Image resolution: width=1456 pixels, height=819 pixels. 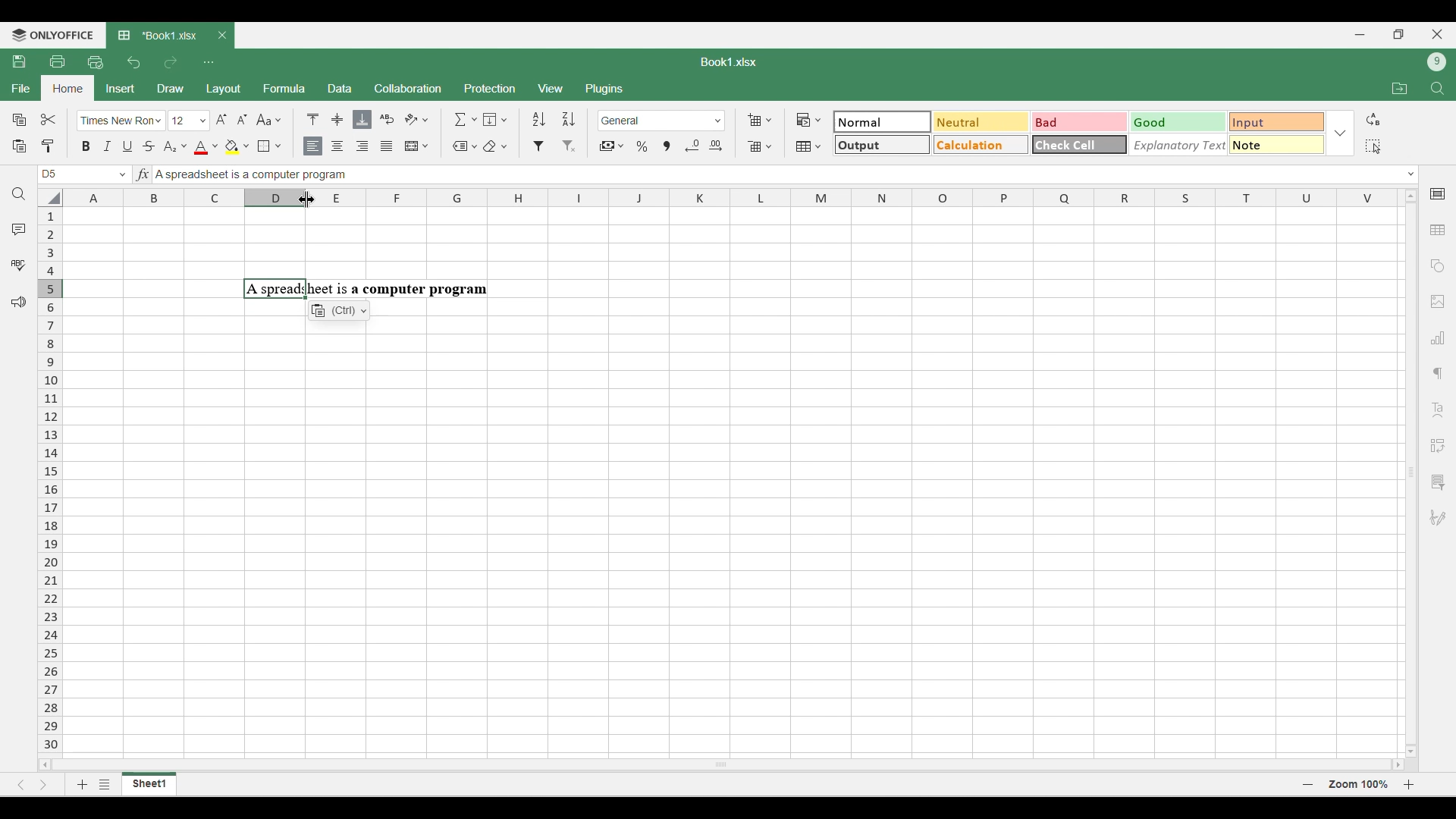 I want to click on Book1.xlsx, so click(x=729, y=62).